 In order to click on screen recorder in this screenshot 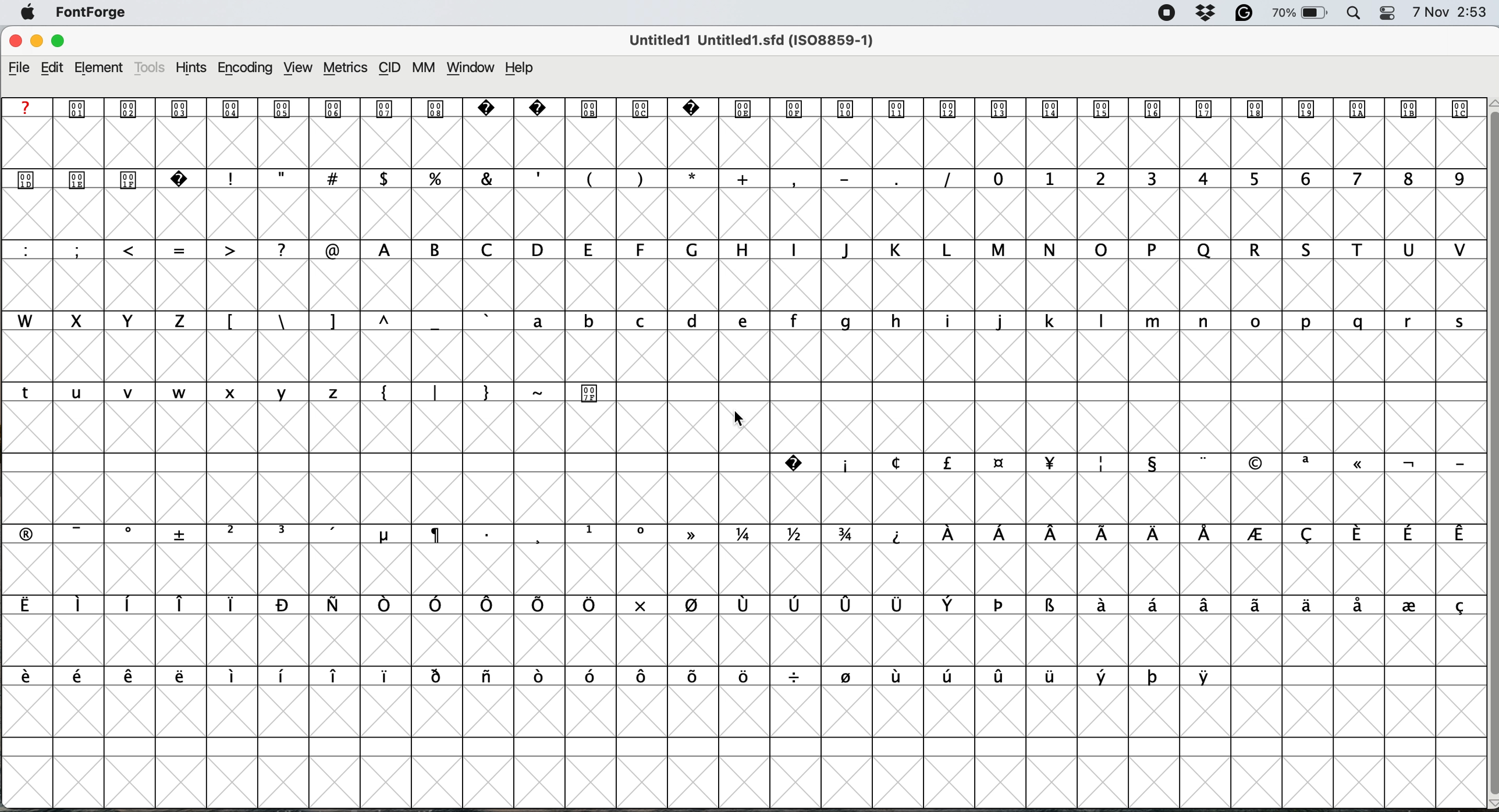, I will do `click(1166, 15)`.